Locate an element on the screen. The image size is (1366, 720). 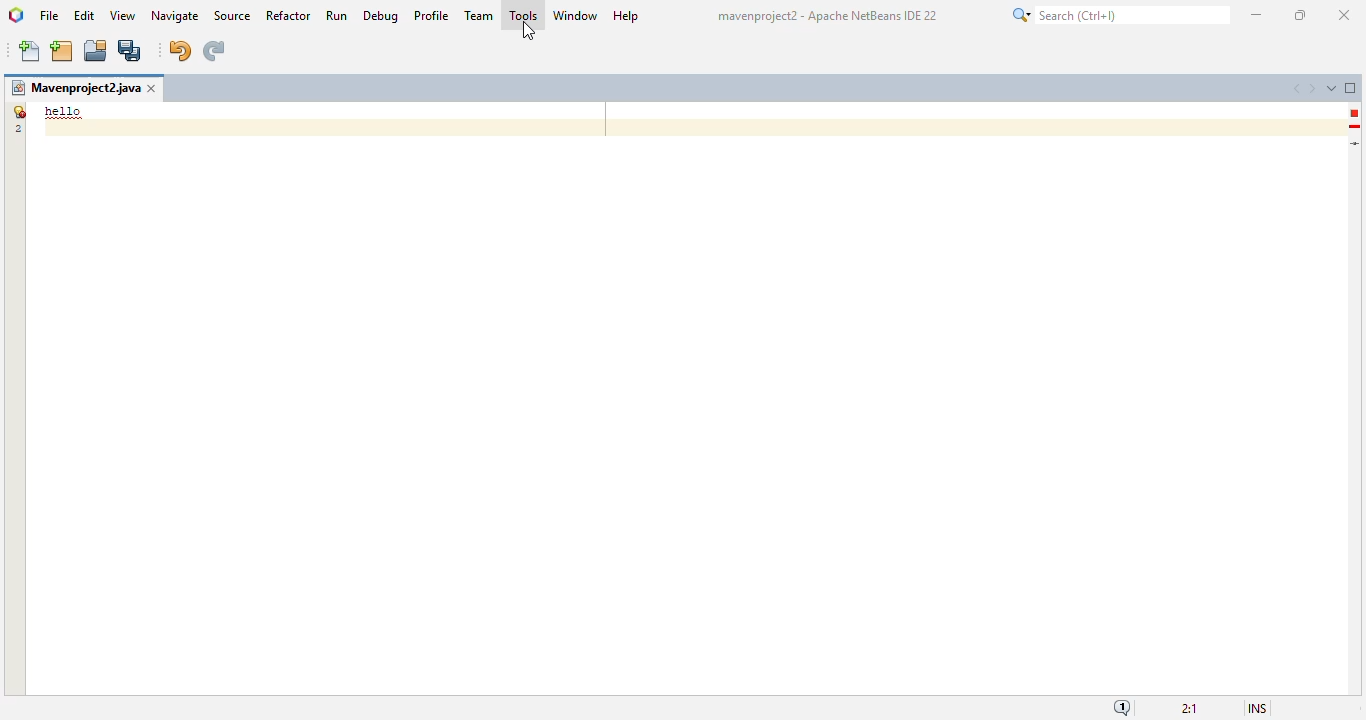
tools is located at coordinates (523, 14).